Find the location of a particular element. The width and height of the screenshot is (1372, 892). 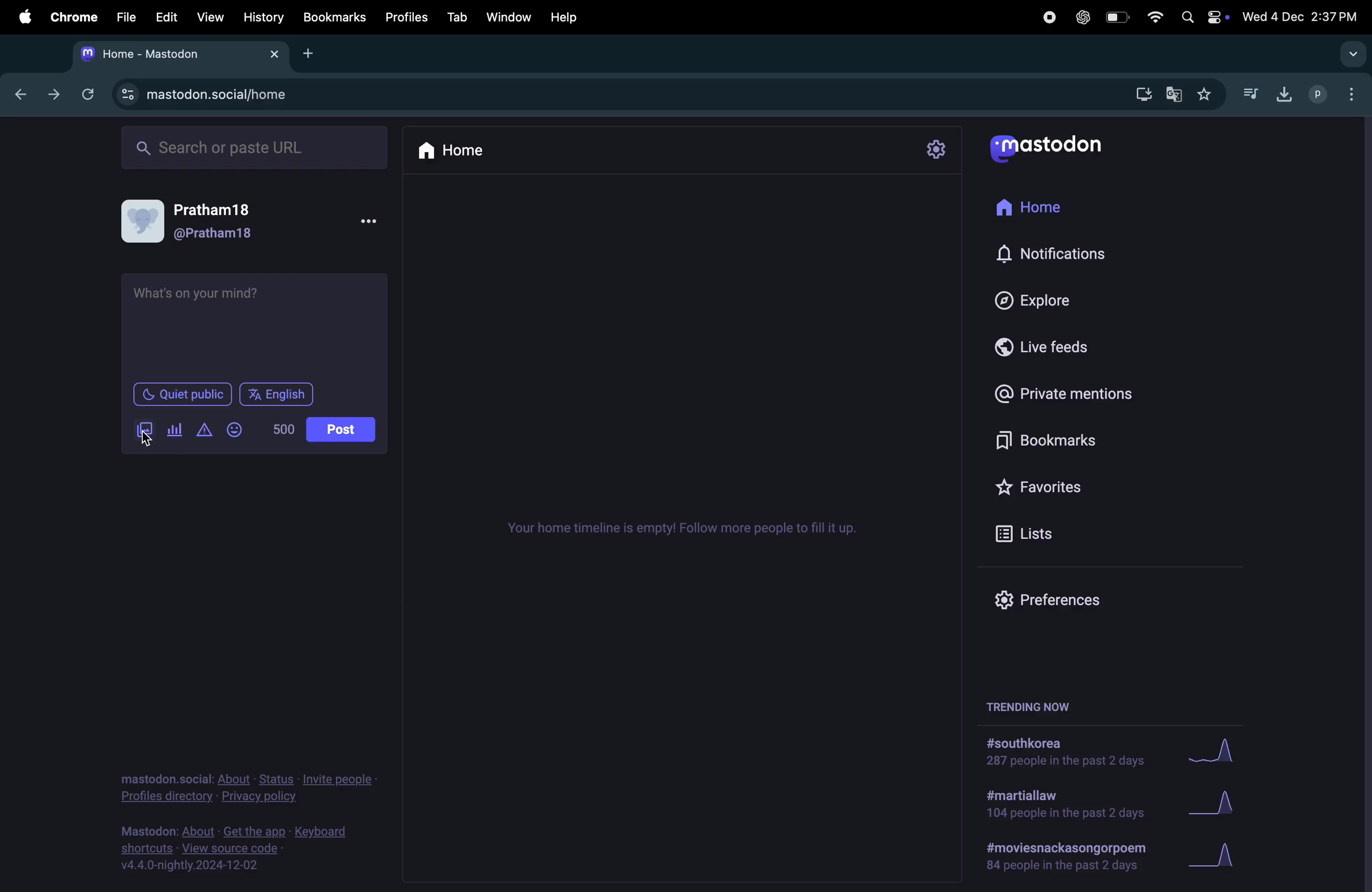

English is located at coordinates (276, 394).